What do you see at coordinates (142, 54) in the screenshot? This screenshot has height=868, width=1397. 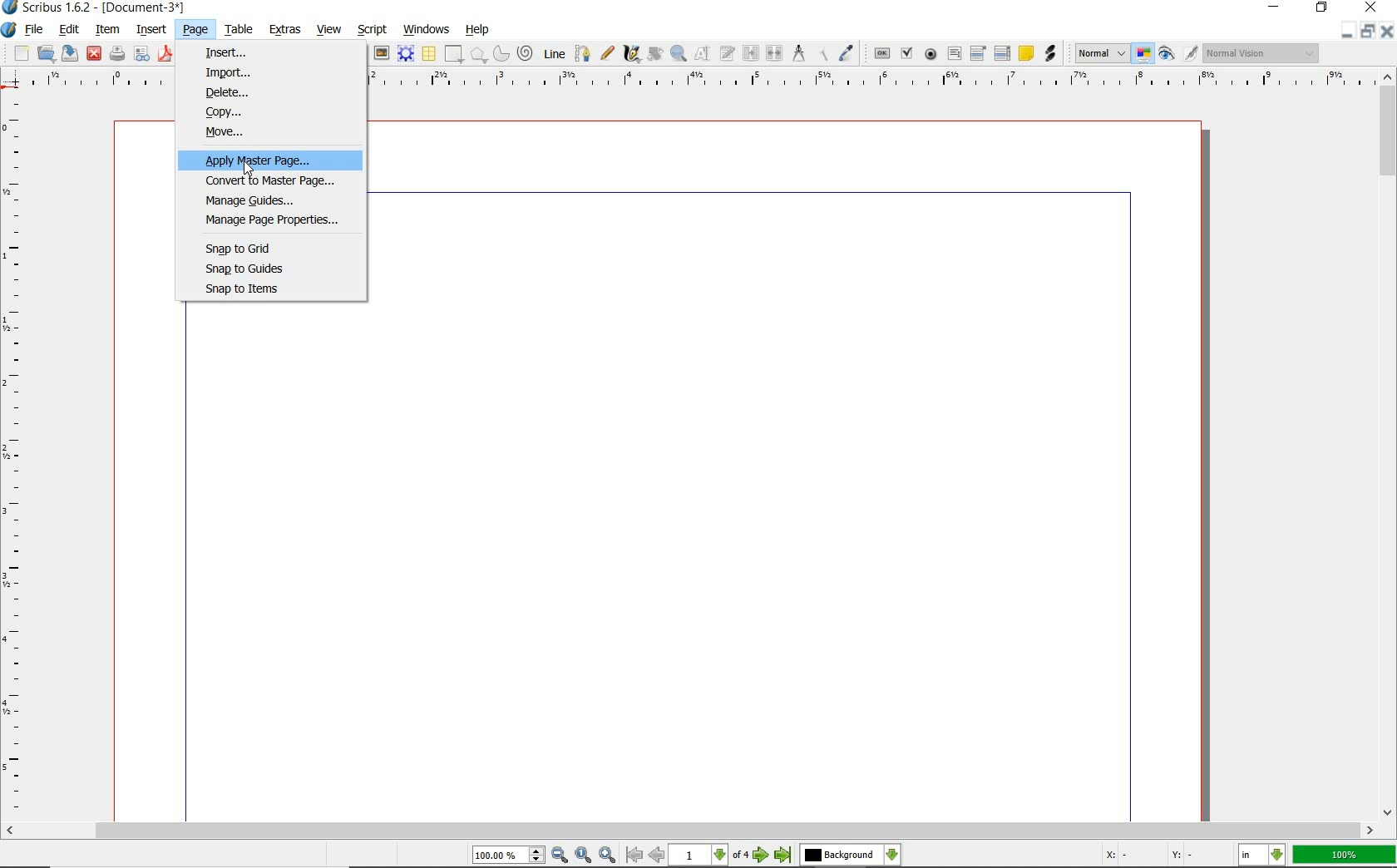 I see `preflight verifier` at bounding box center [142, 54].